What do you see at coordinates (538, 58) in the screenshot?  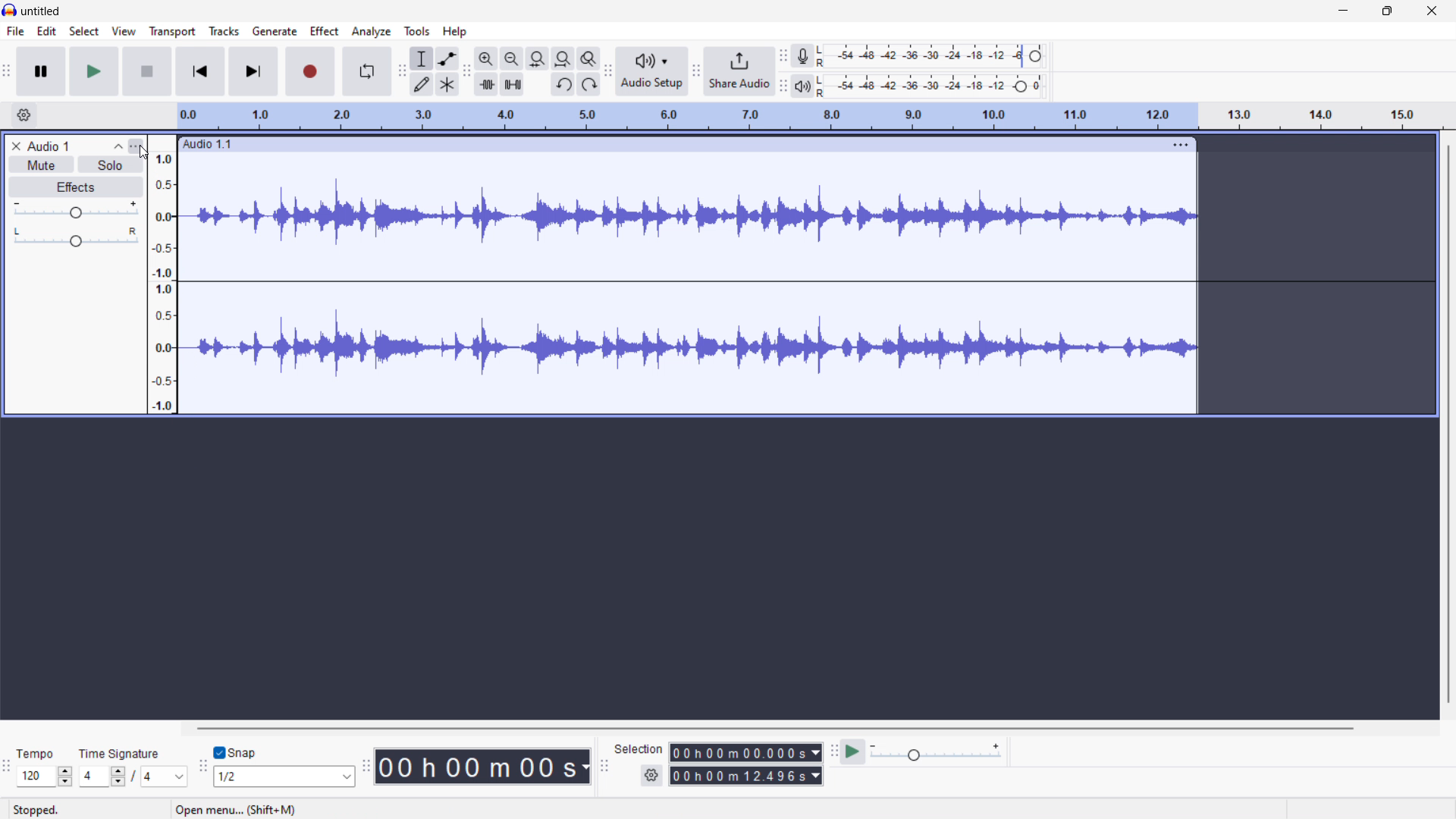 I see `fit selection to width` at bounding box center [538, 58].